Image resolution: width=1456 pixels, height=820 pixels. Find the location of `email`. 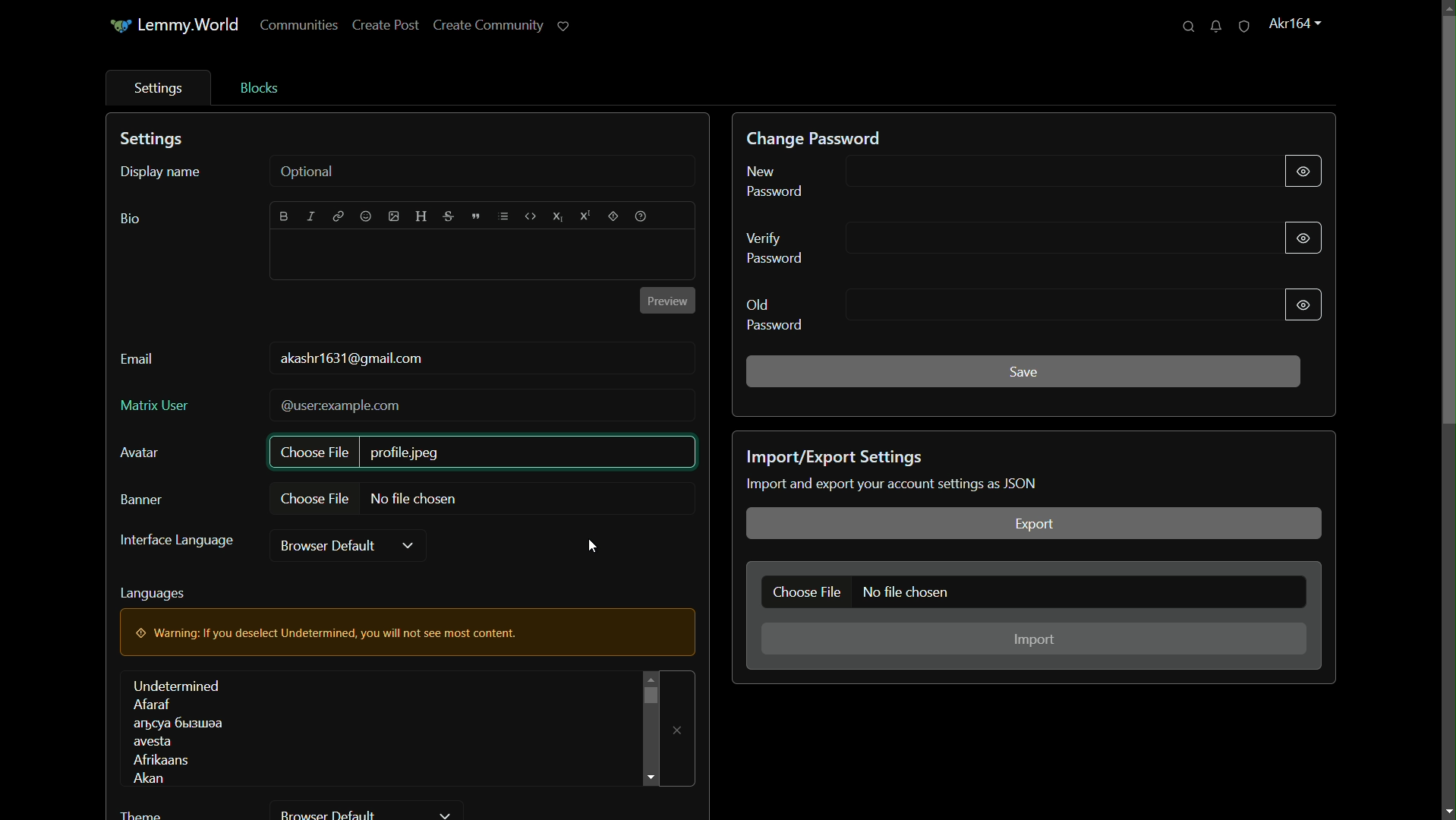

email is located at coordinates (137, 360).